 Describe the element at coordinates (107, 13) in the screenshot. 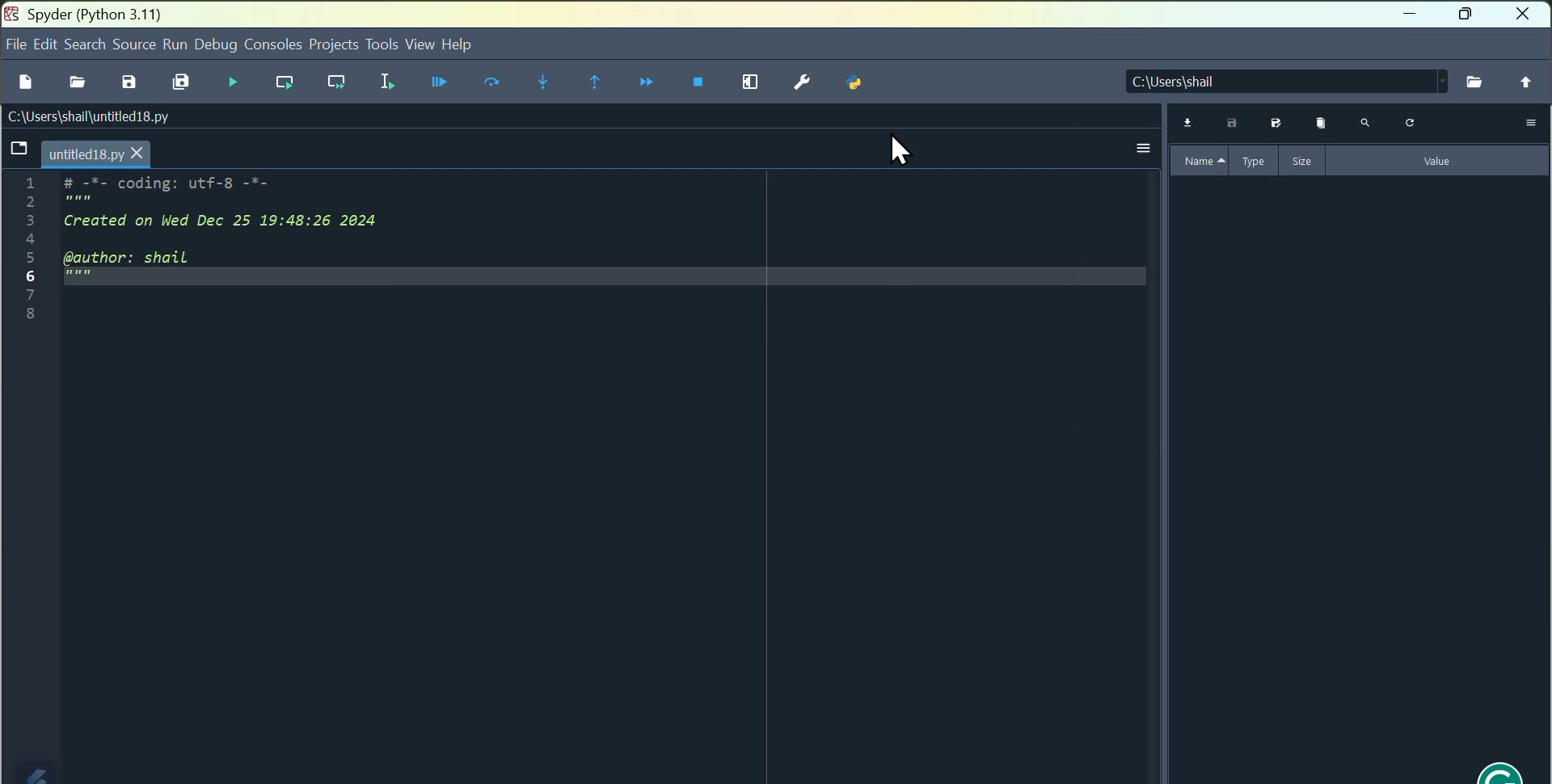

I see `Spyder python three point one` at that location.